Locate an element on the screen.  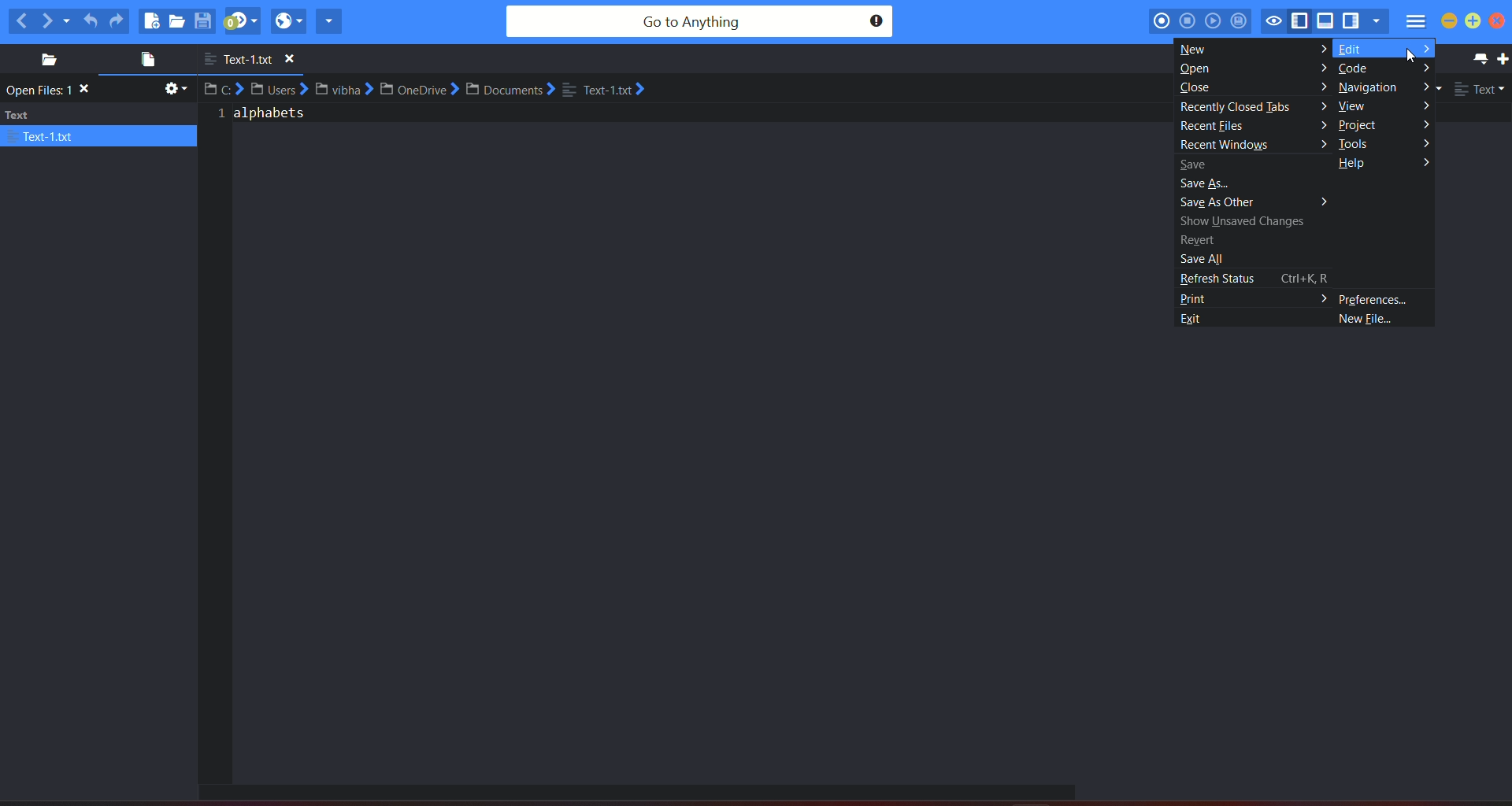
Recent is located at coordinates (1203, 238).